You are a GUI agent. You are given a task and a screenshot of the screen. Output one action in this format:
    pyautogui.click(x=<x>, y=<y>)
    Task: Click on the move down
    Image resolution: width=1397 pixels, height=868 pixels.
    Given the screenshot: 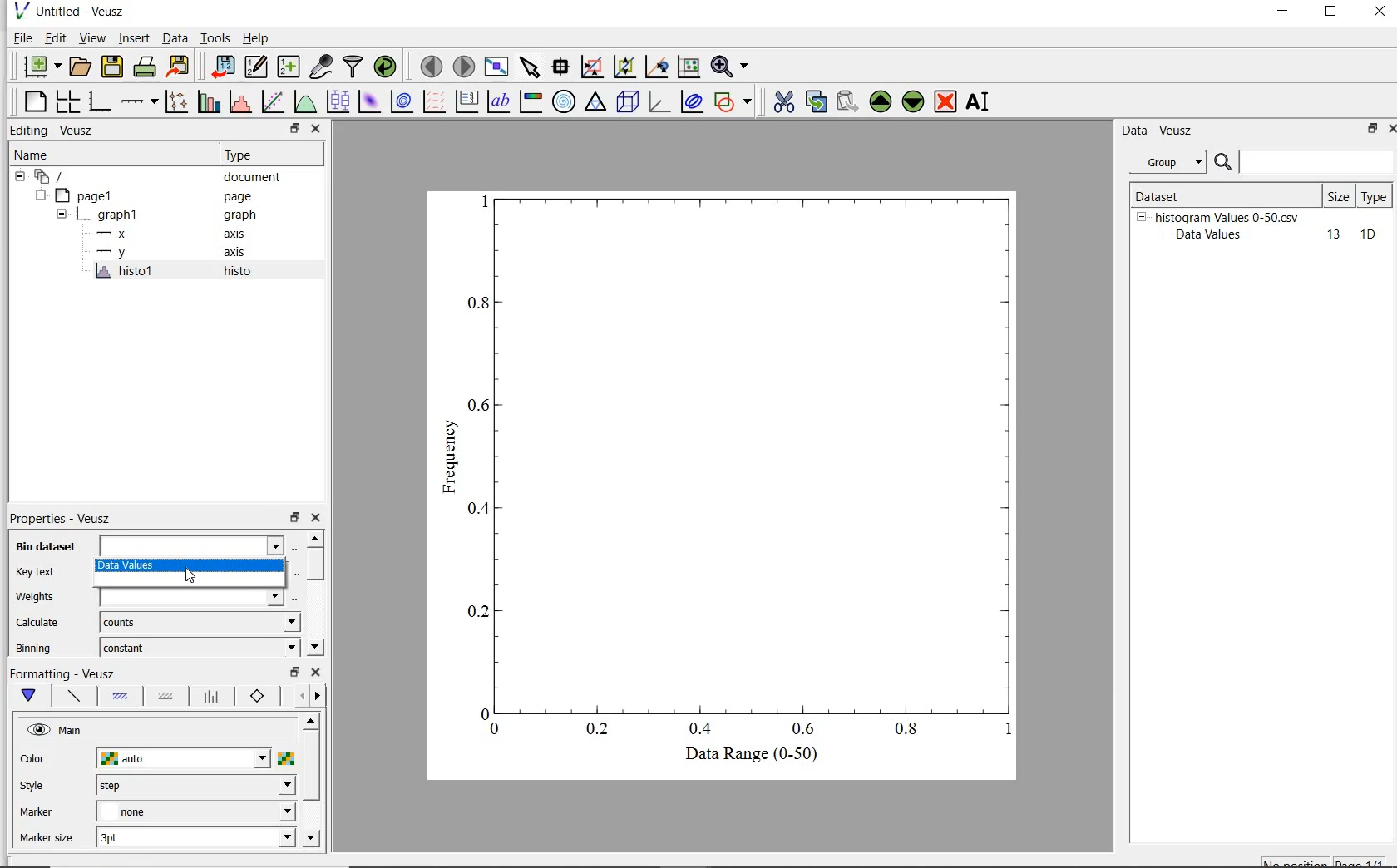 What is the action you would take?
    pyautogui.click(x=314, y=645)
    